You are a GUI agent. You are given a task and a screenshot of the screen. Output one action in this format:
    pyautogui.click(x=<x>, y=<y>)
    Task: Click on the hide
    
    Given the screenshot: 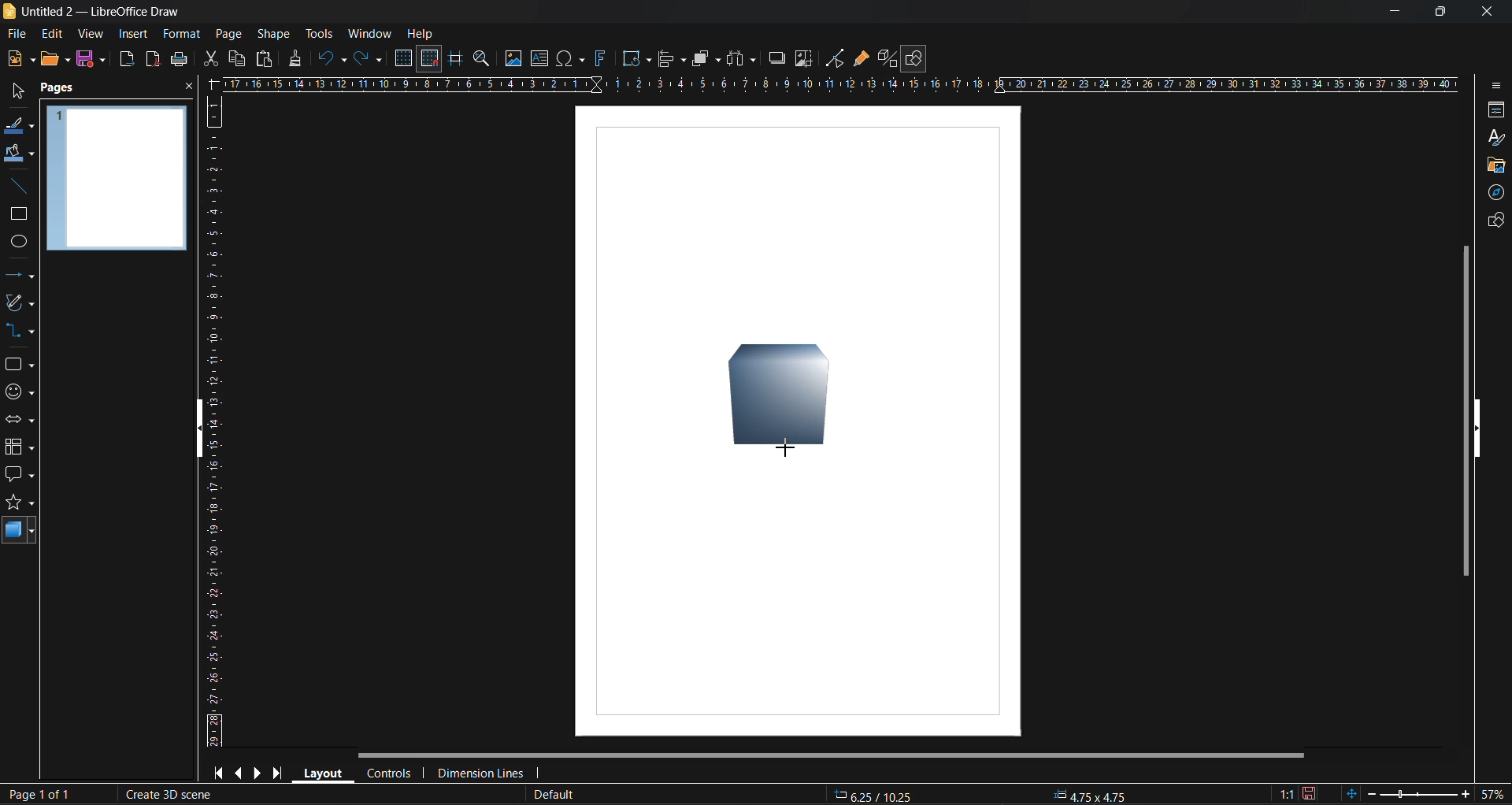 What is the action you would take?
    pyautogui.click(x=206, y=429)
    